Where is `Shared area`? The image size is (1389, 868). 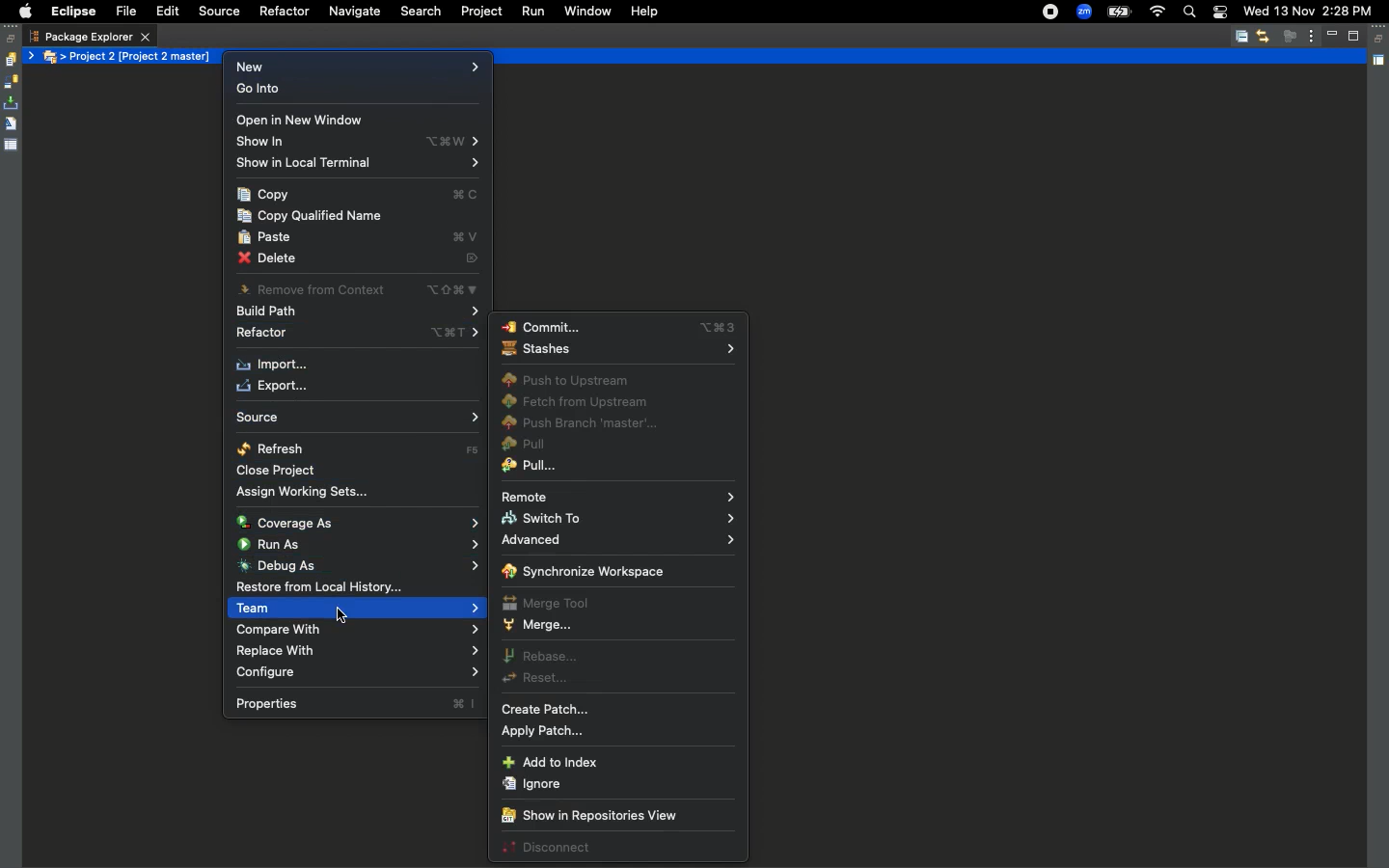 Shared area is located at coordinates (1380, 64).